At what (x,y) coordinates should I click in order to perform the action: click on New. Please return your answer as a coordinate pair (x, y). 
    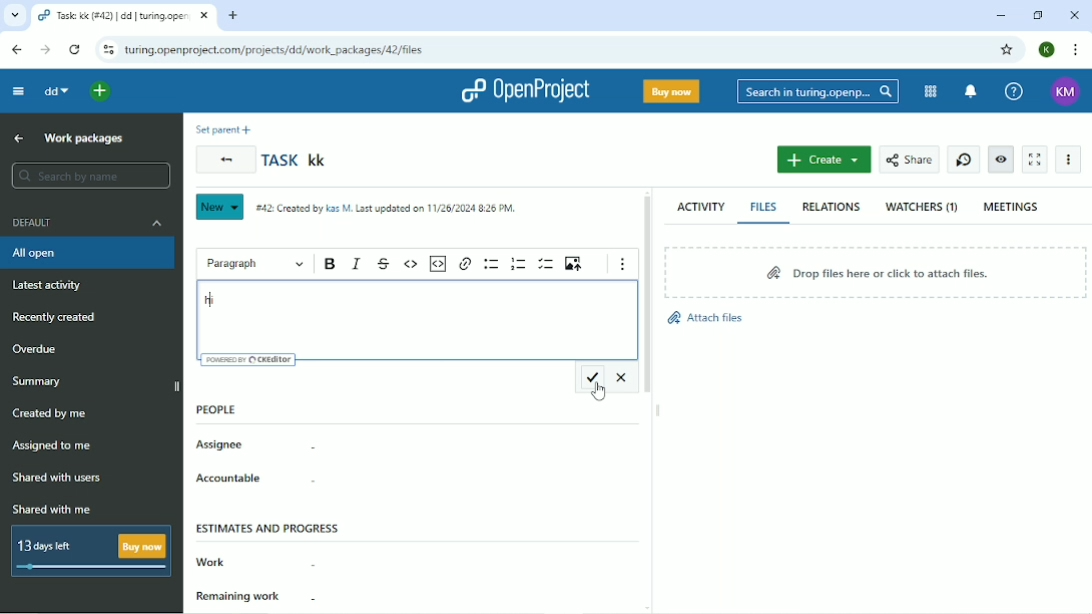
    Looking at the image, I should click on (219, 207).